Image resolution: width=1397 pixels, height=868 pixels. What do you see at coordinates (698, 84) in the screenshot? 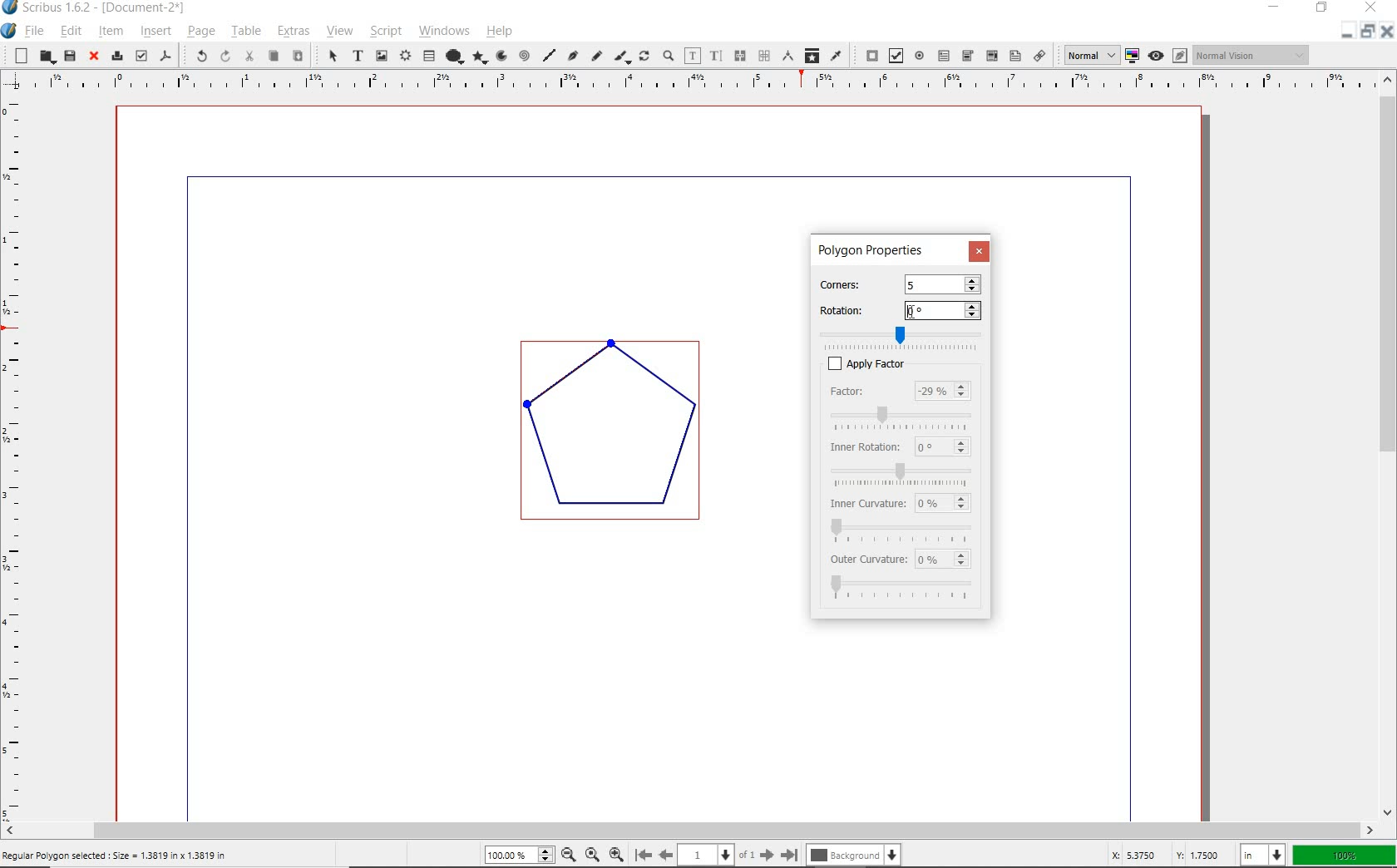
I see `ruler` at bounding box center [698, 84].